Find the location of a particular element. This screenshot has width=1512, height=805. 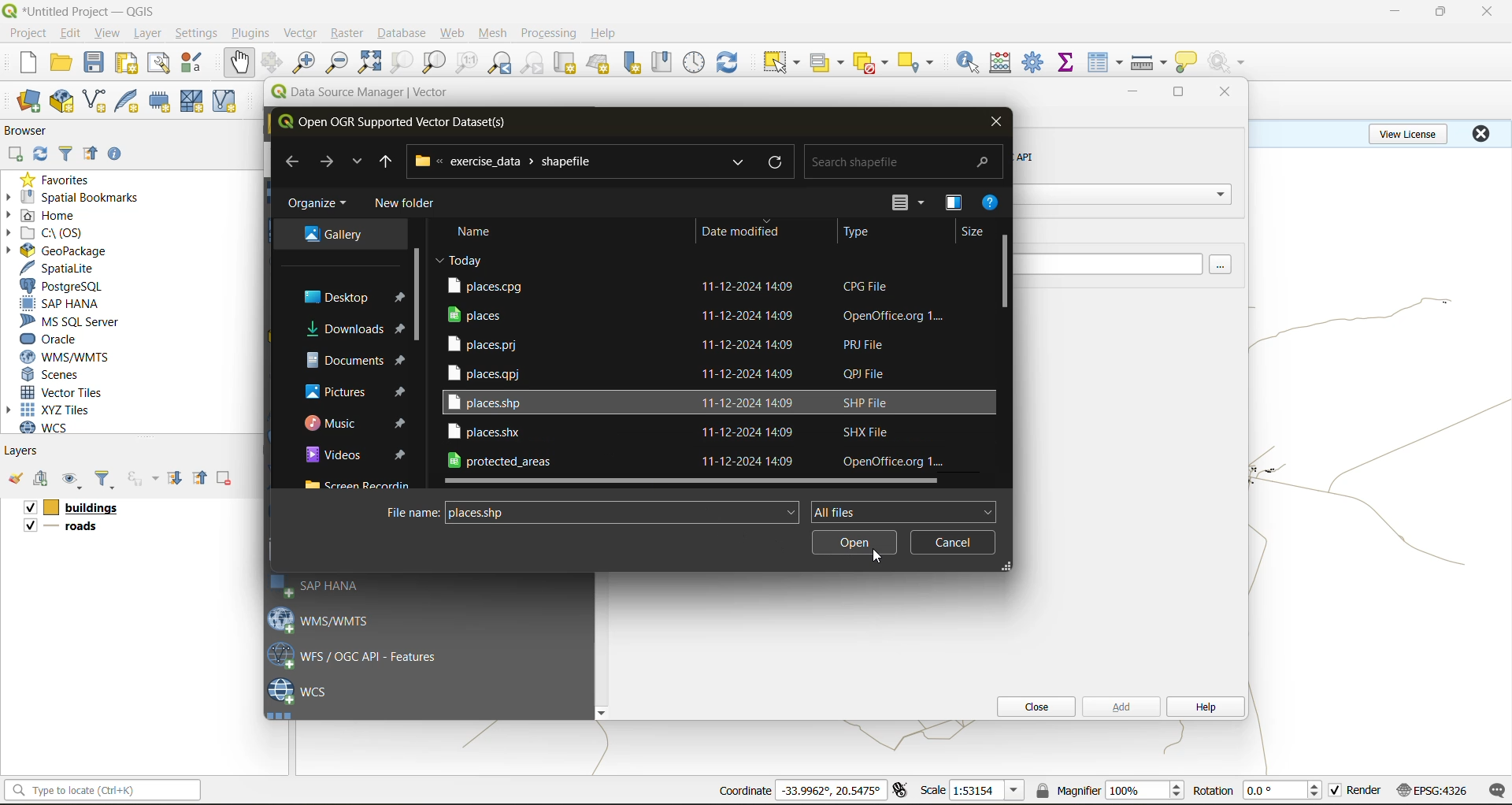

processing is located at coordinates (549, 34).